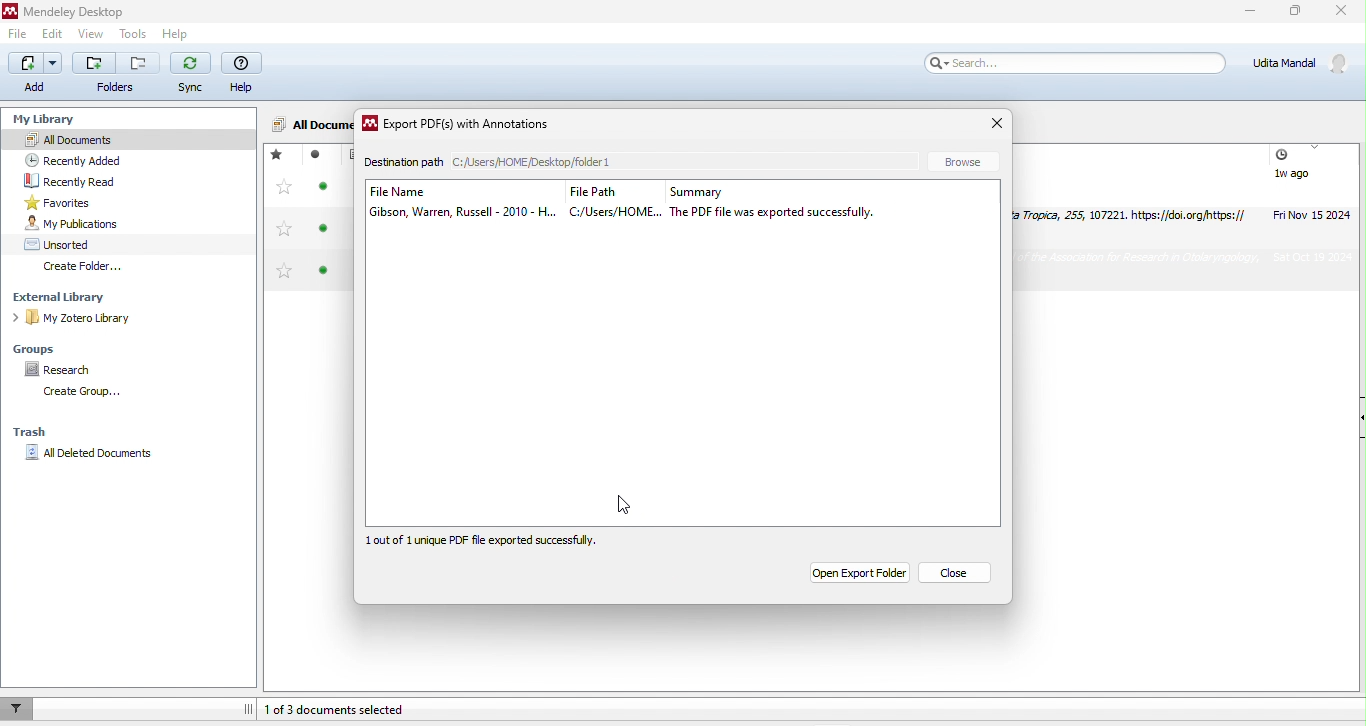 The image size is (1366, 726). I want to click on mendeley desktop, so click(88, 10).